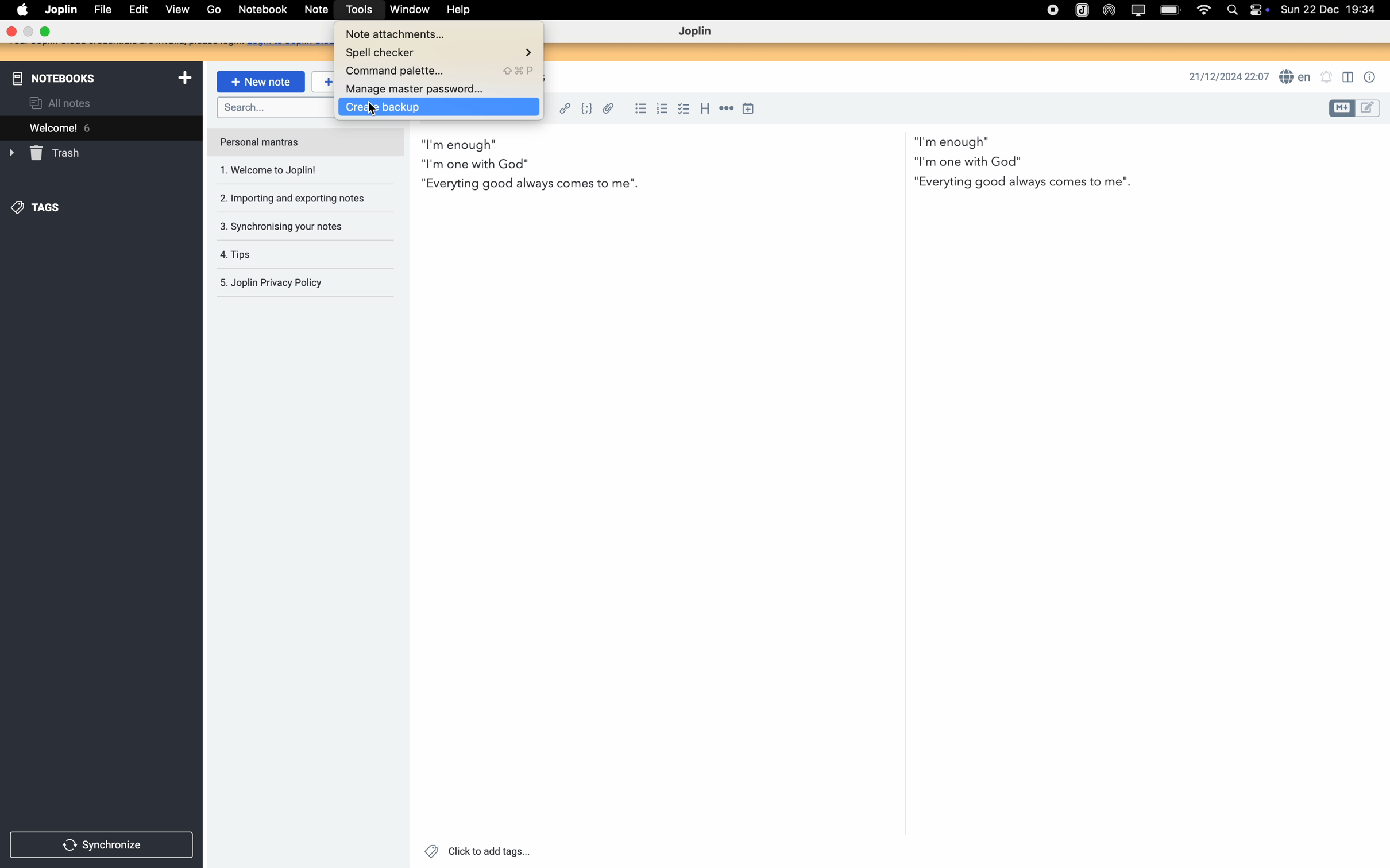  I want to click on close program, so click(10, 30).